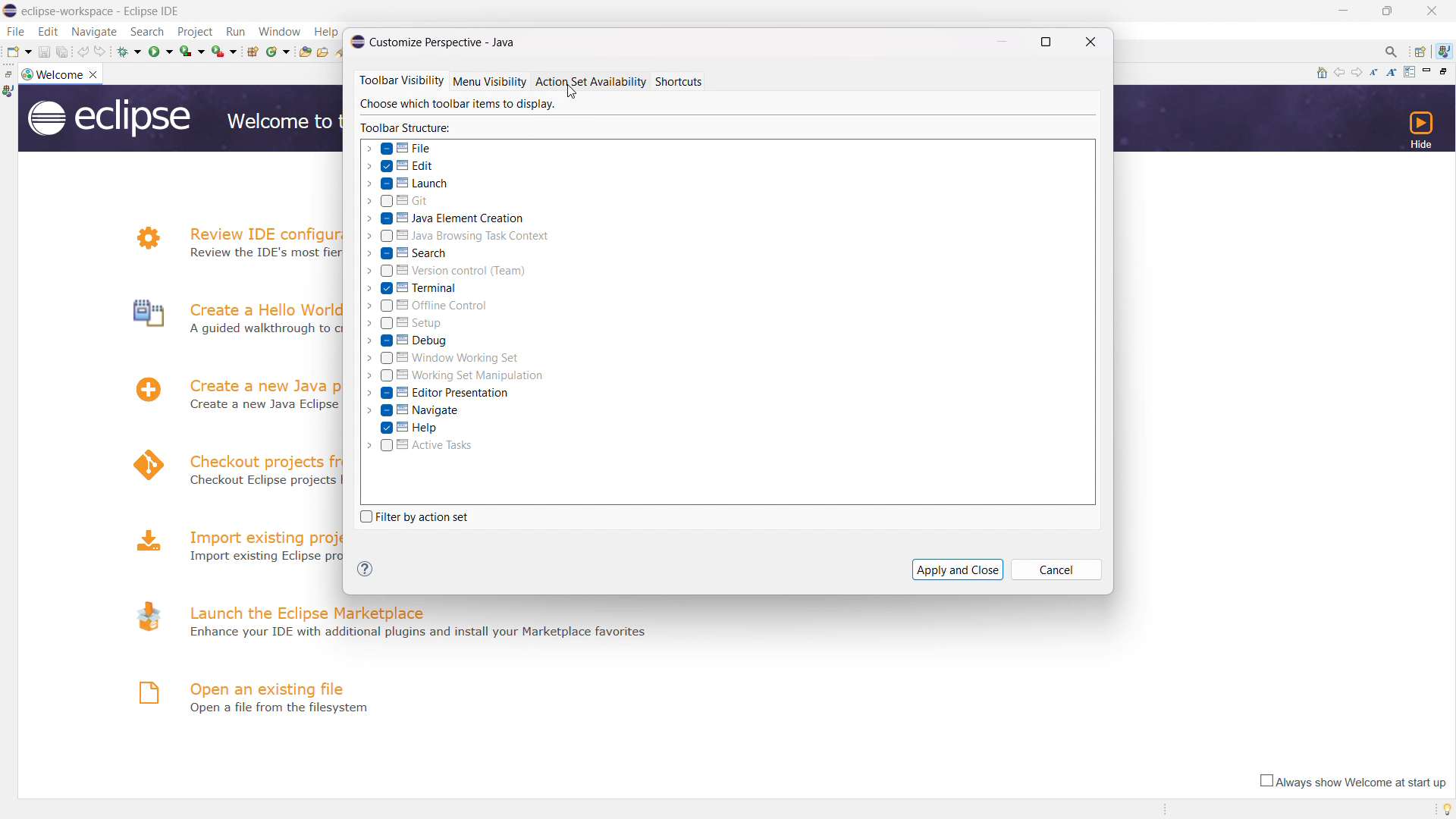  What do you see at coordinates (1350, 782) in the screenshot?
I see `always show welcome at start up` at bounding box center [1350, 782].